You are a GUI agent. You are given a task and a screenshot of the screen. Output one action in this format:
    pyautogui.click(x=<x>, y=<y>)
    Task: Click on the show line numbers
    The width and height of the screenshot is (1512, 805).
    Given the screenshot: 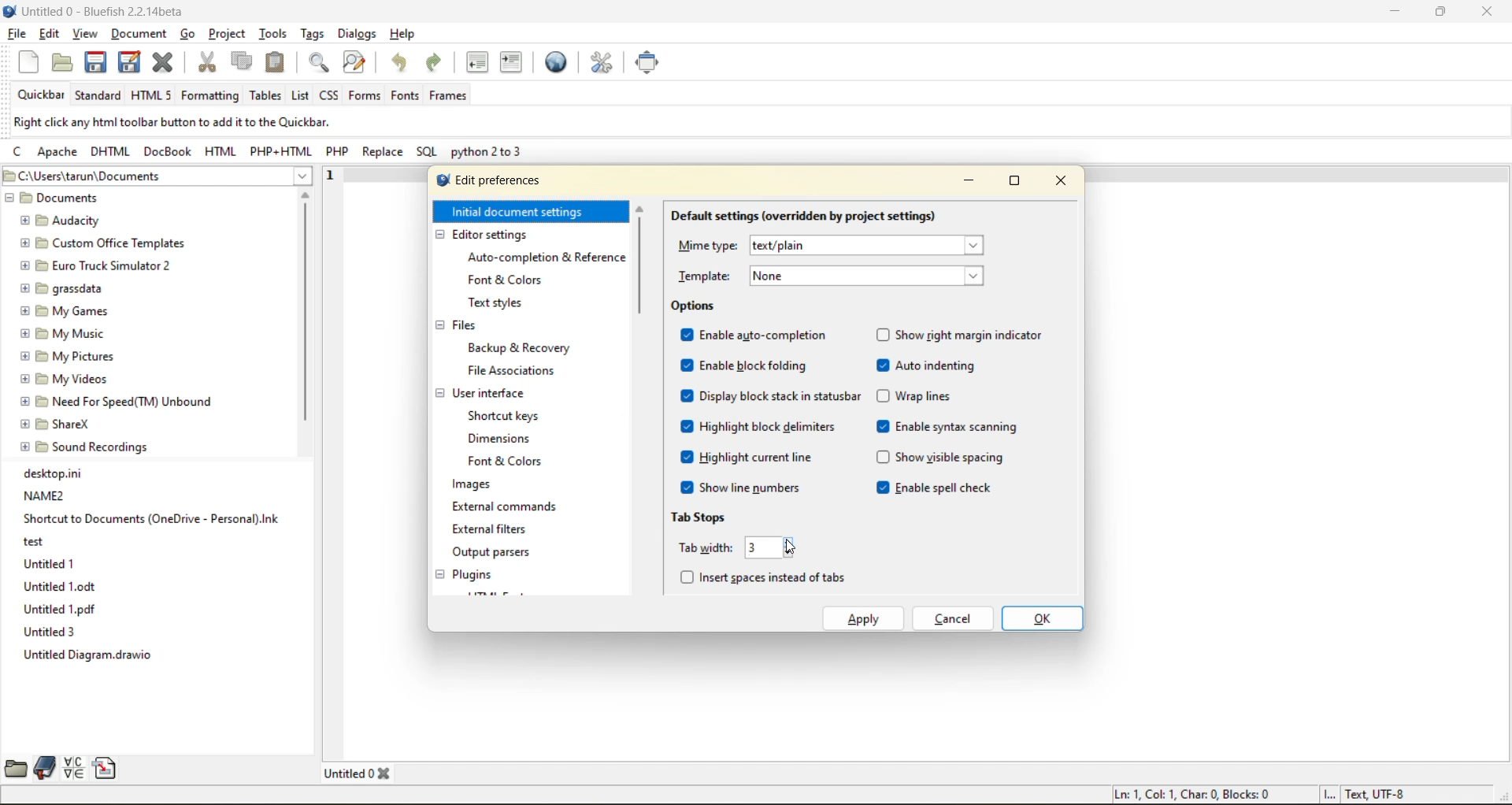 What is the action you would take?
    pyautogui.click(x=743, y=488)
    